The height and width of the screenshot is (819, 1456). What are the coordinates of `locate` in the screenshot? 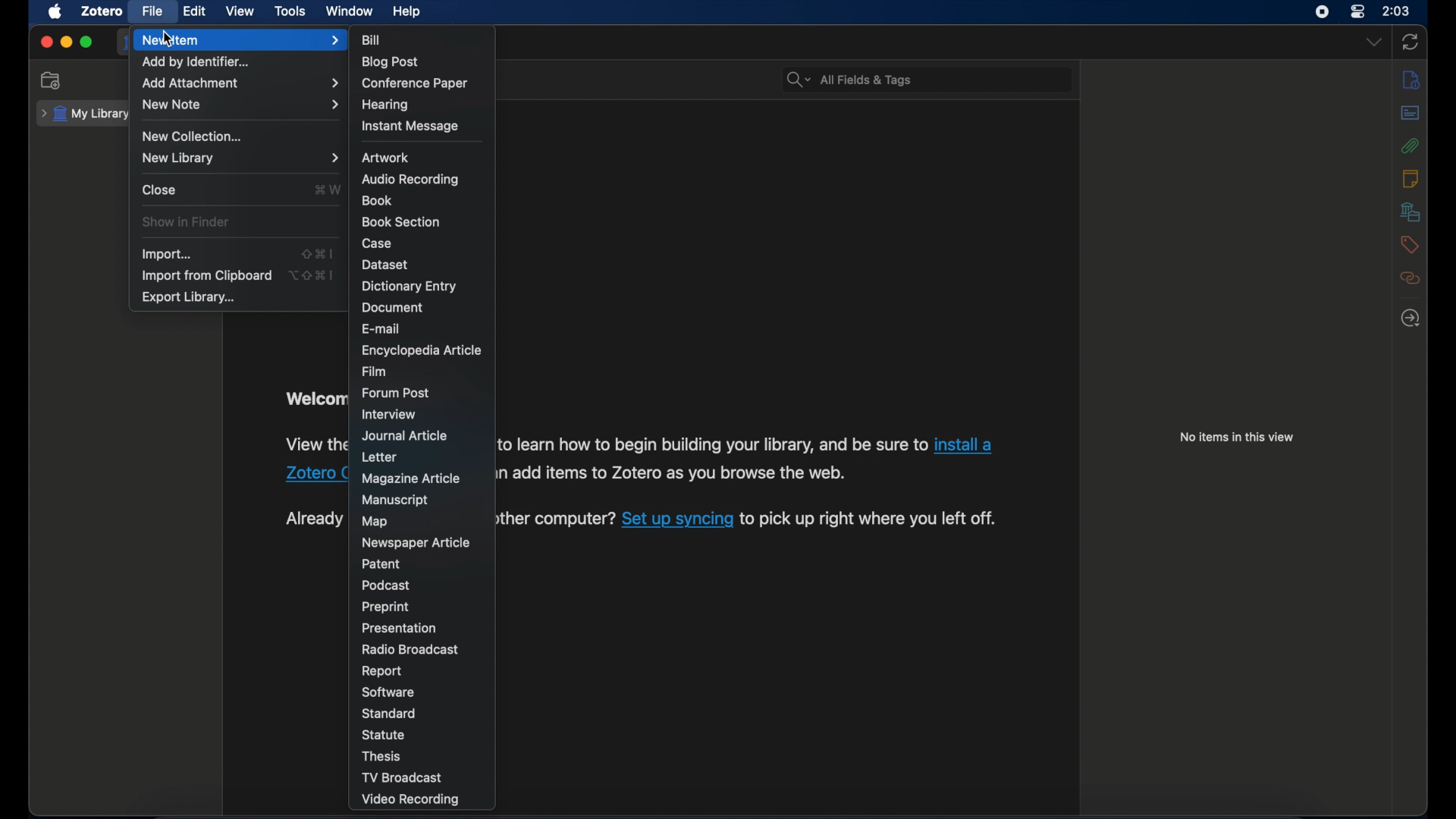 It's located at (1410, 318).